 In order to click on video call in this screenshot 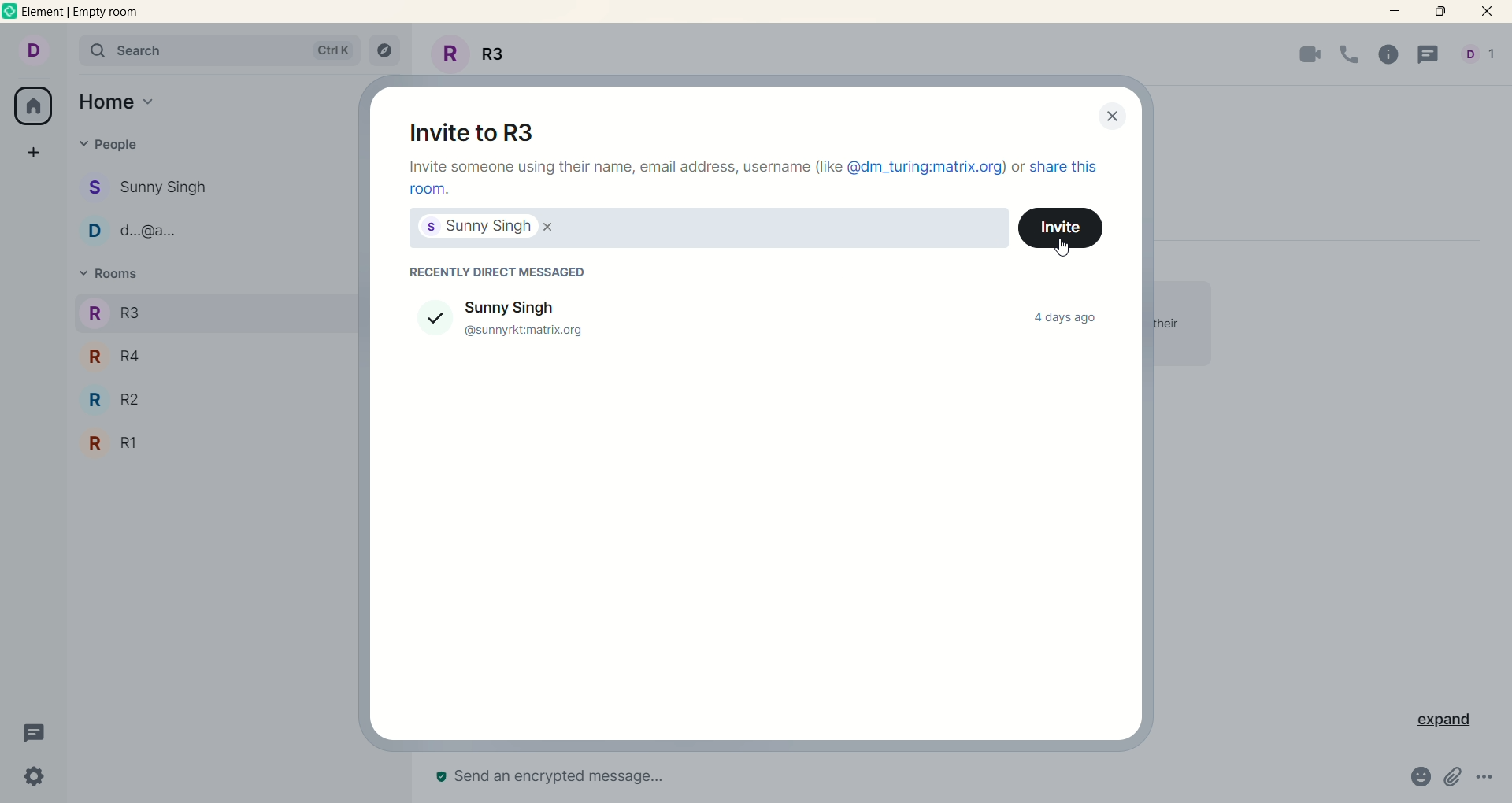, I will do `click(1302, 57)`.